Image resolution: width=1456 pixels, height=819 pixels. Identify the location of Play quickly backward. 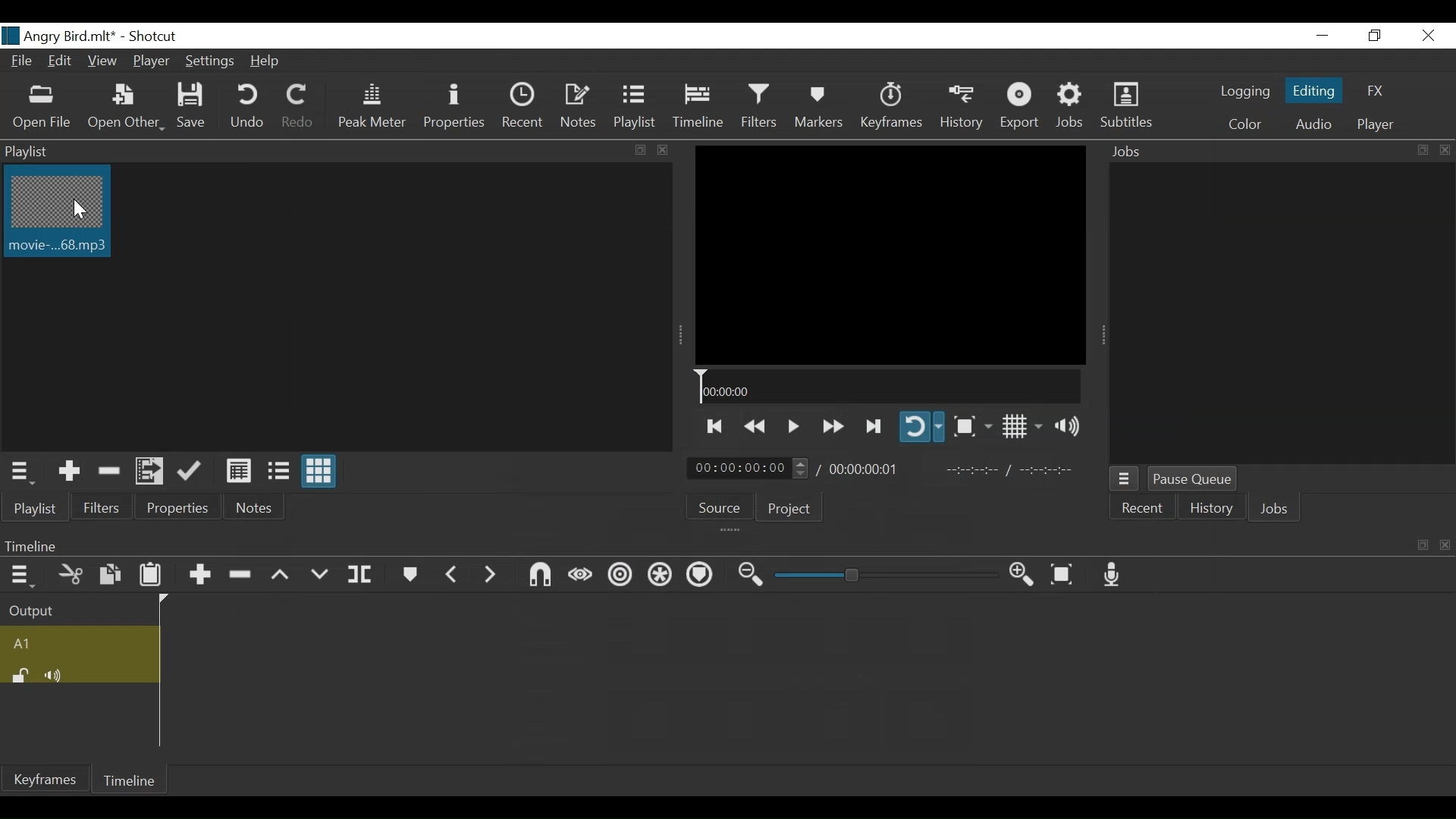
(754, 424).